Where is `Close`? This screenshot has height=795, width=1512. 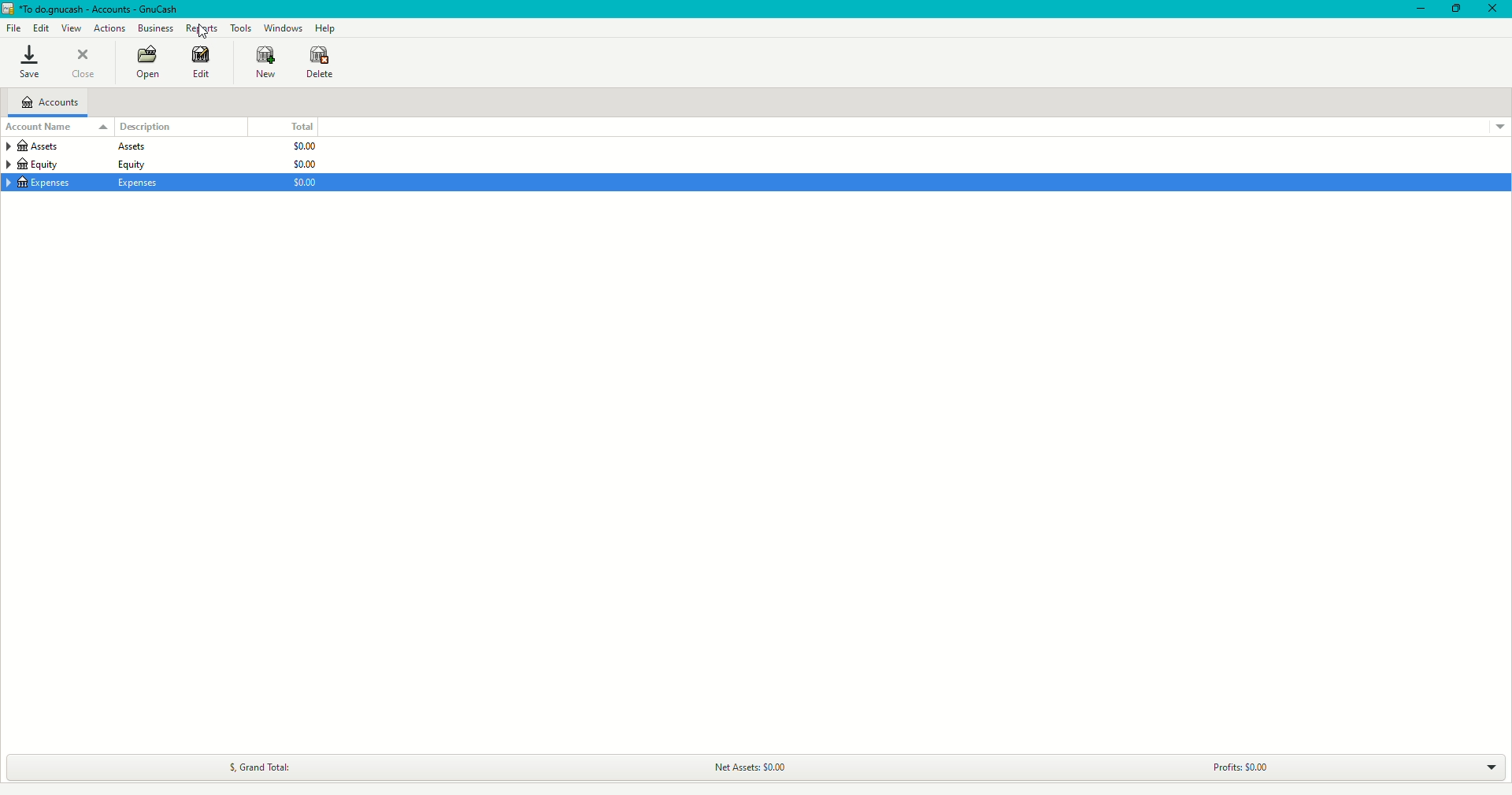
Close is located at coordinates (83, 65).